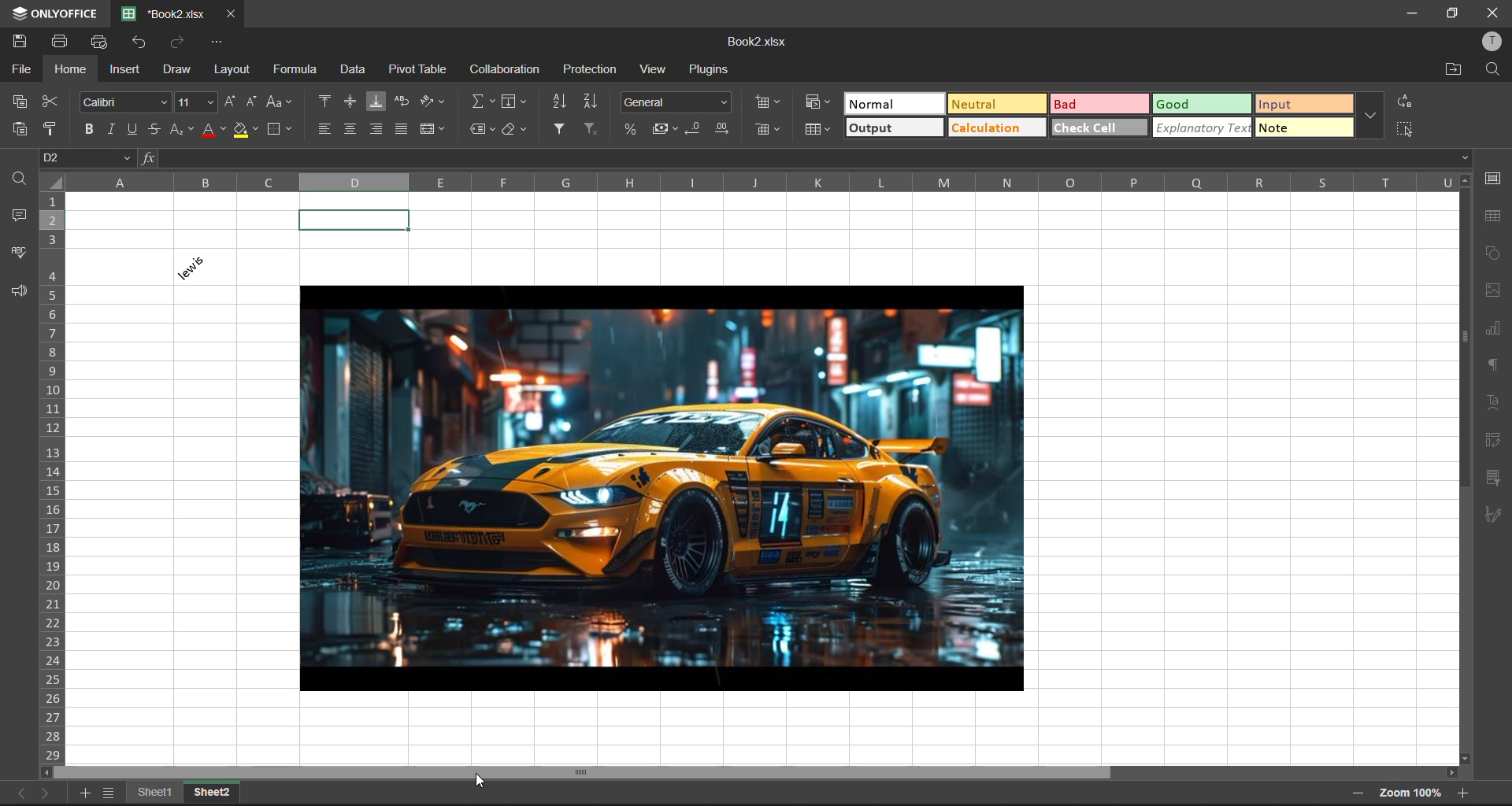 The image size is (1512, 806). I want to click on font color, so click(215, 131).